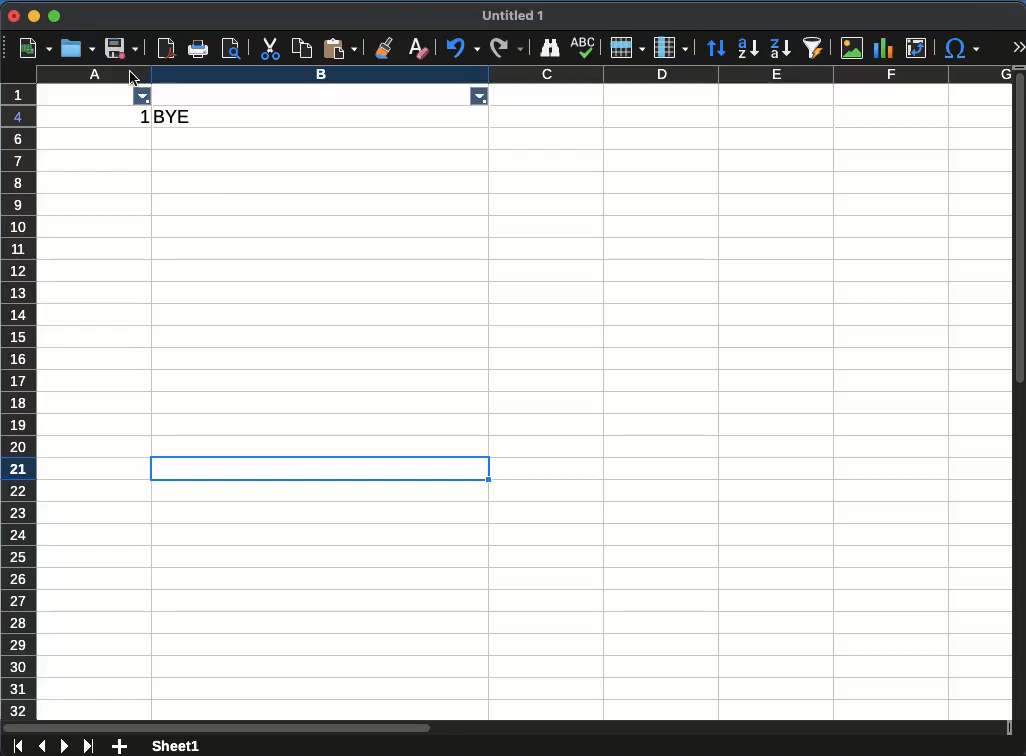 This screenshot has height=756, width=1026. Describe the element at coordinates (123, 50) in the screenshot. I see `save` at that location.